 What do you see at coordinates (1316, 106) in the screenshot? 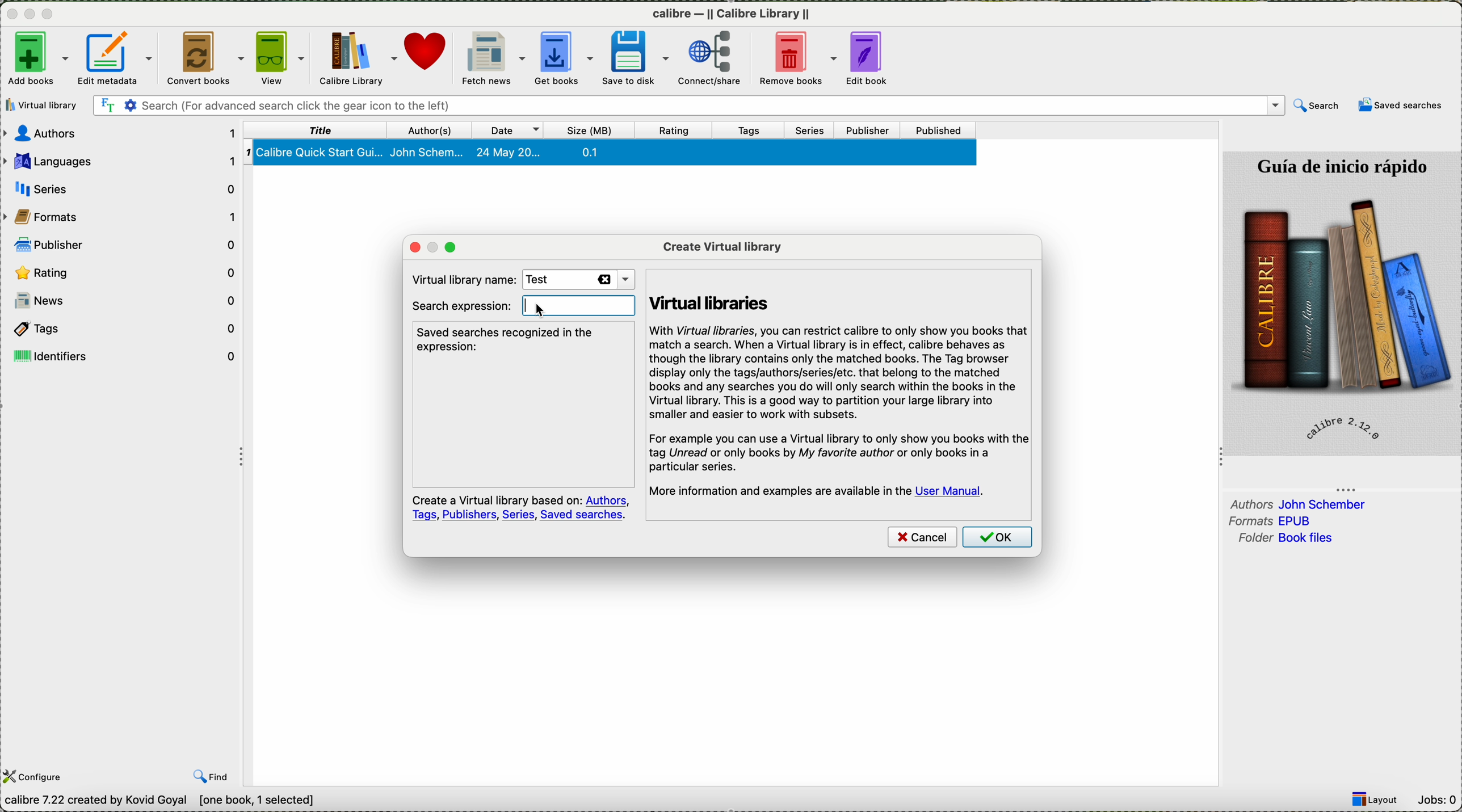
I see `search` at bounding box center [1316, 106].